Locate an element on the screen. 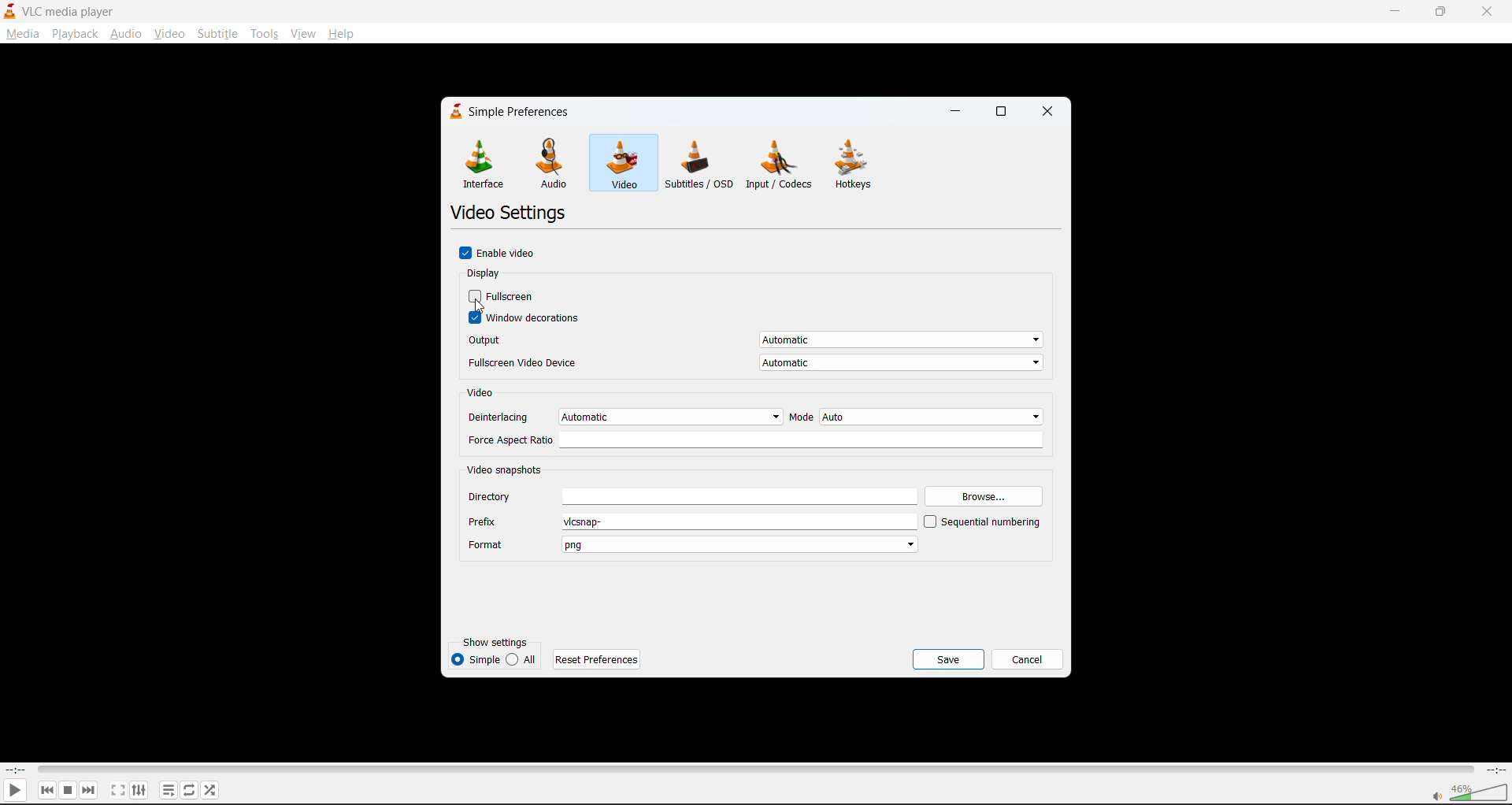  display is located at coordinates (491, 274).